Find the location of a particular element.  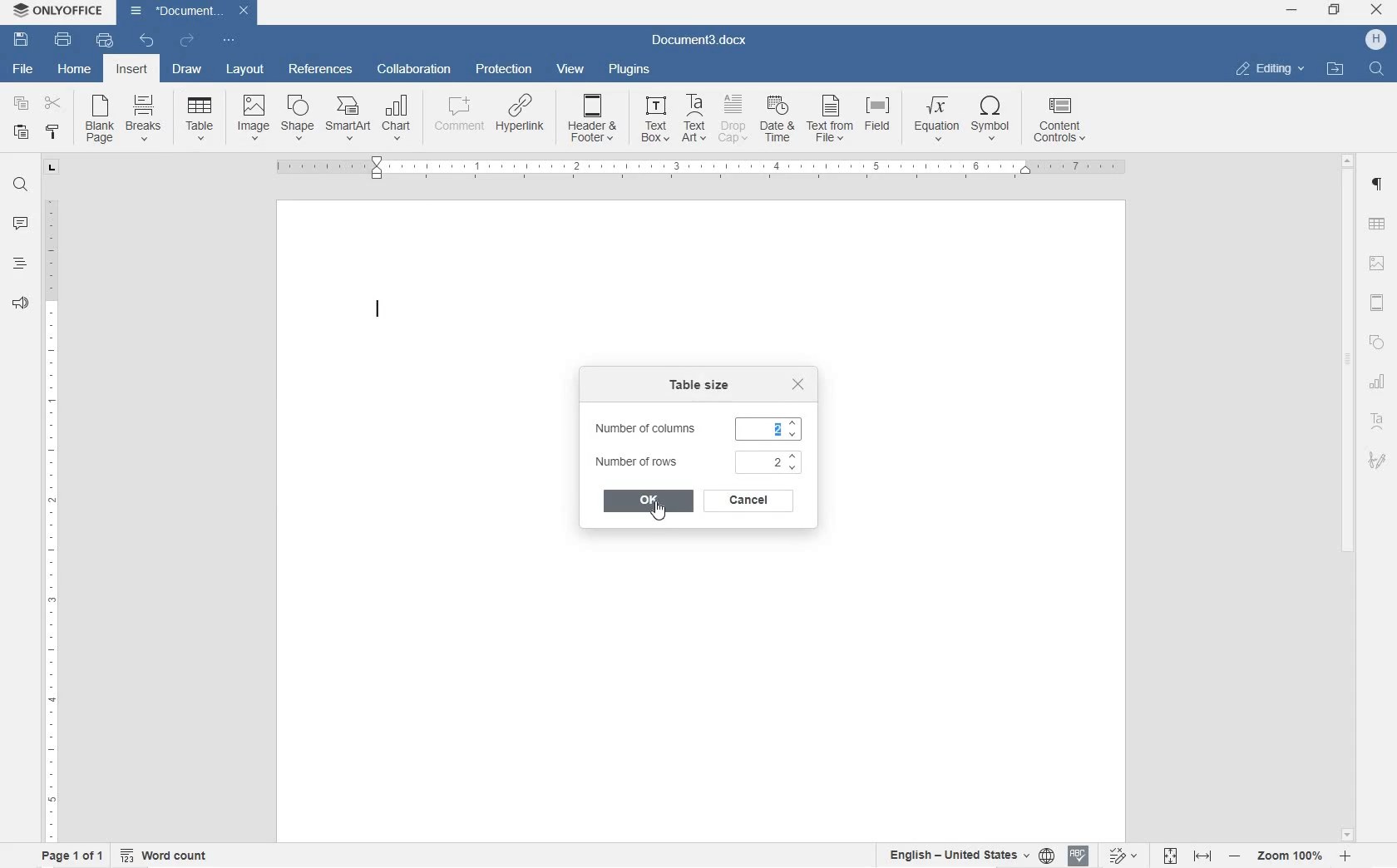

RULER is located at coordinates (49, 516).